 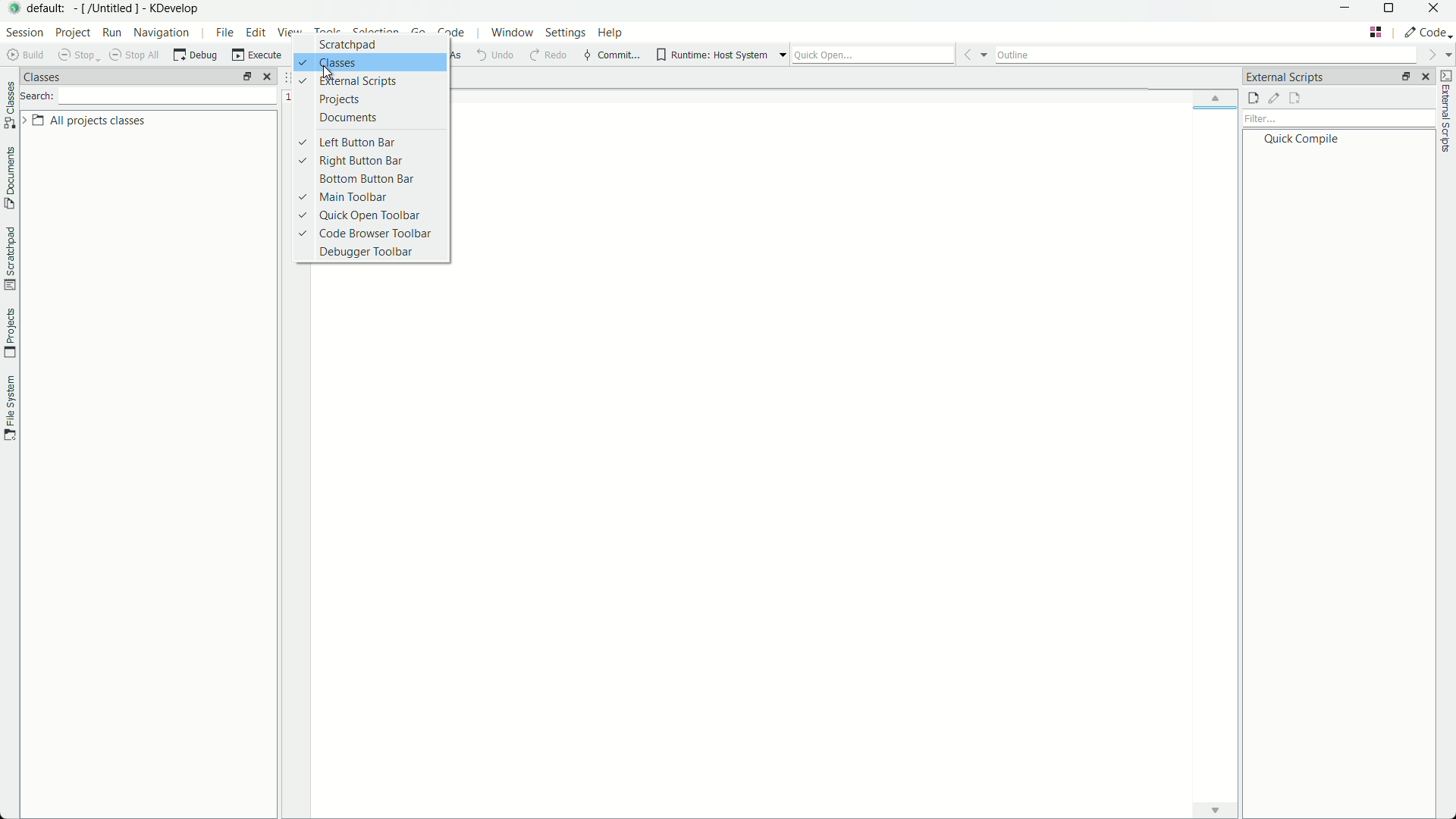 I want to click on build, so click(x=26, y=55).